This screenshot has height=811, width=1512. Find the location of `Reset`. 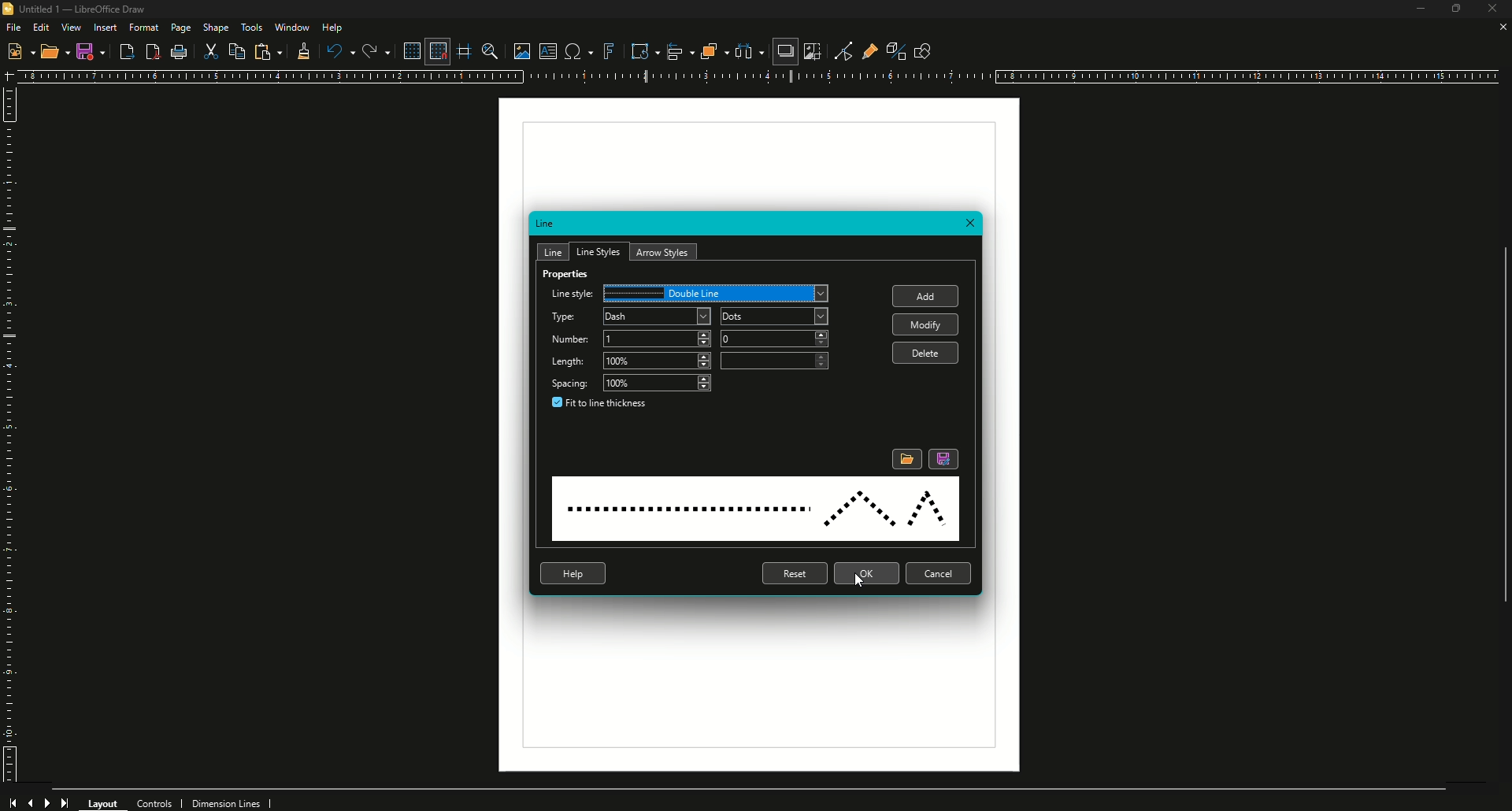

Reset is located at coordinates (793, 574).